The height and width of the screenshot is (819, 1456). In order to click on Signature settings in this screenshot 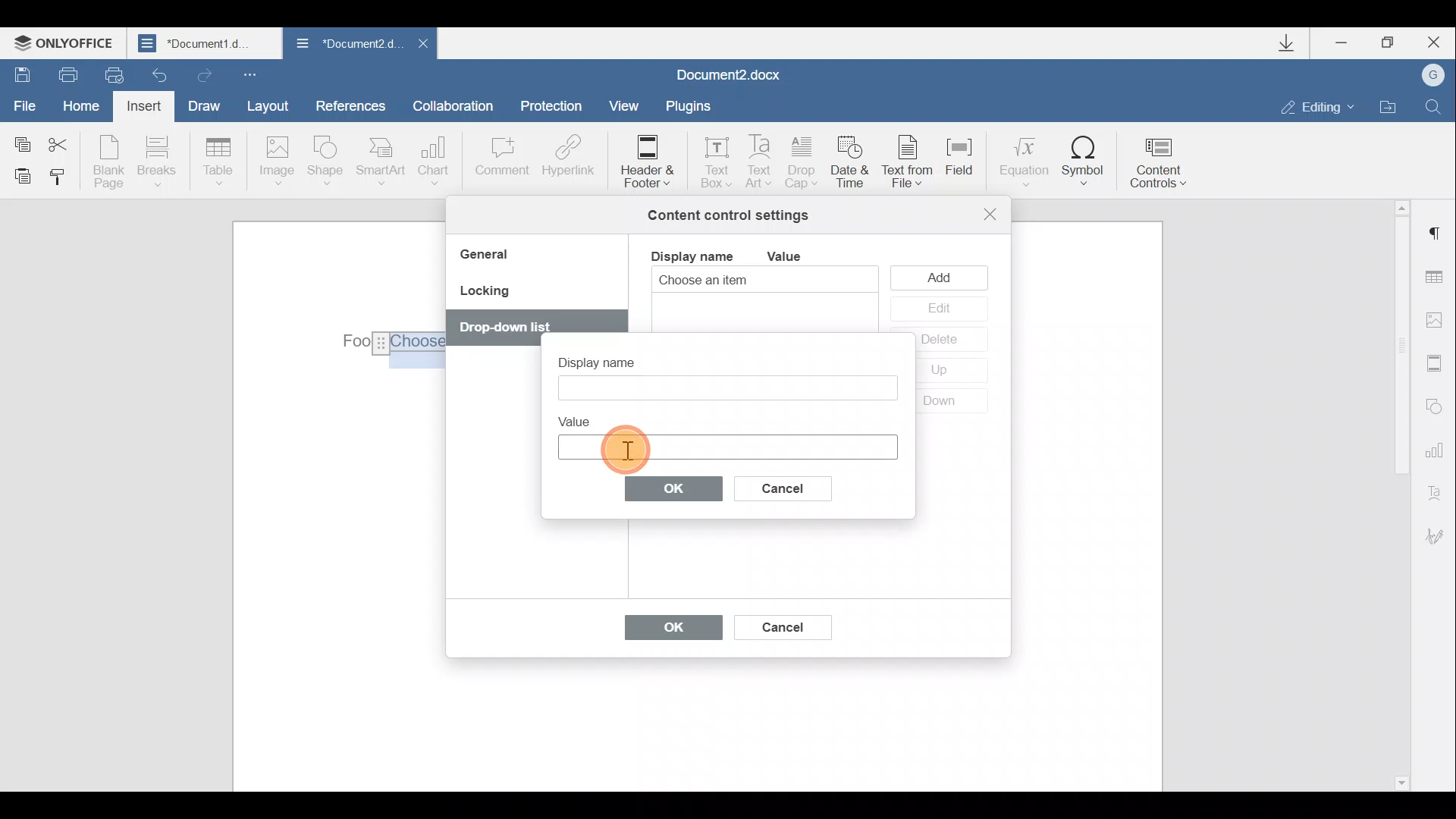, I will do `click(1441, 536)`.